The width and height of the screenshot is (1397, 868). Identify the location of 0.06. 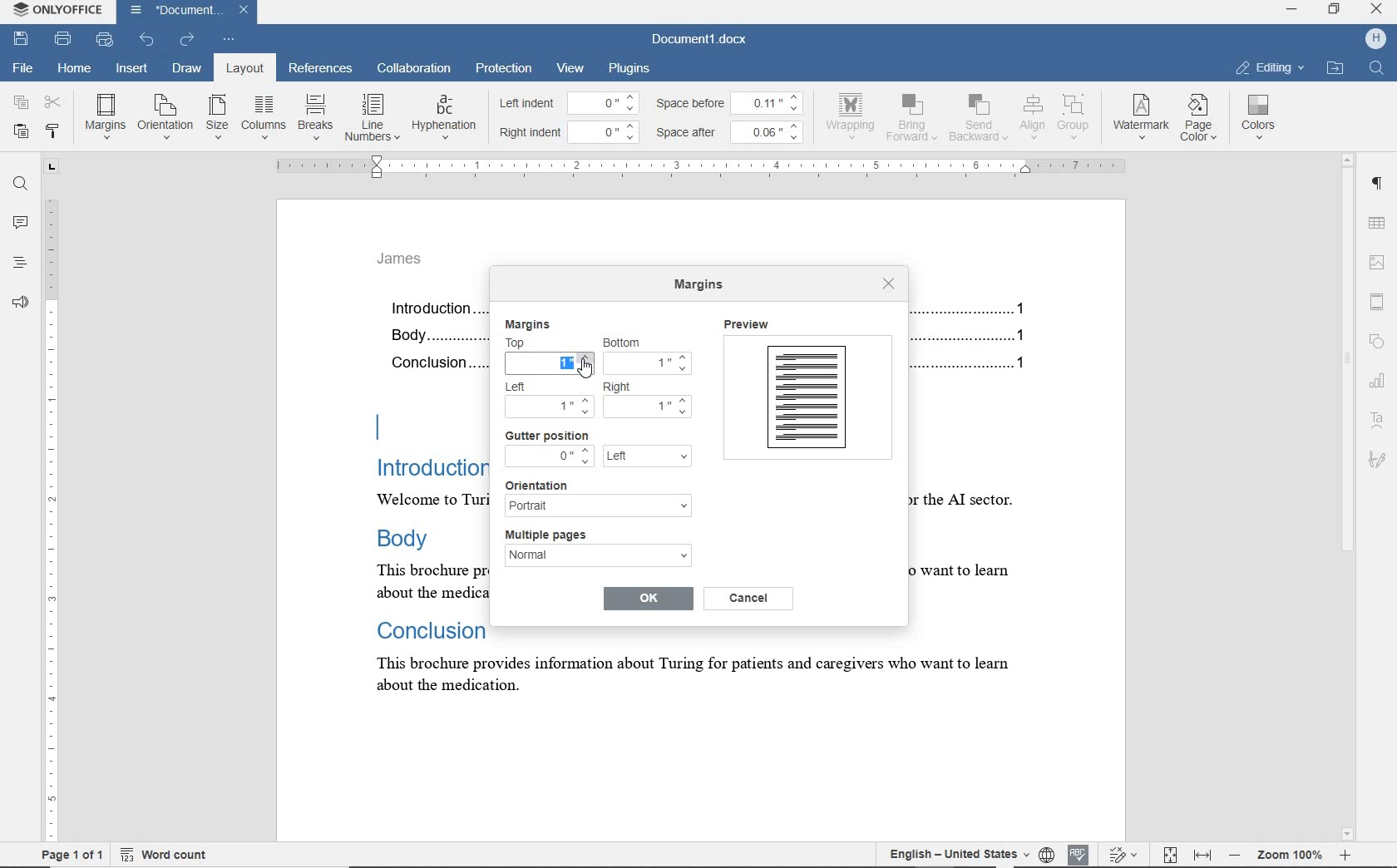
(771, 131).